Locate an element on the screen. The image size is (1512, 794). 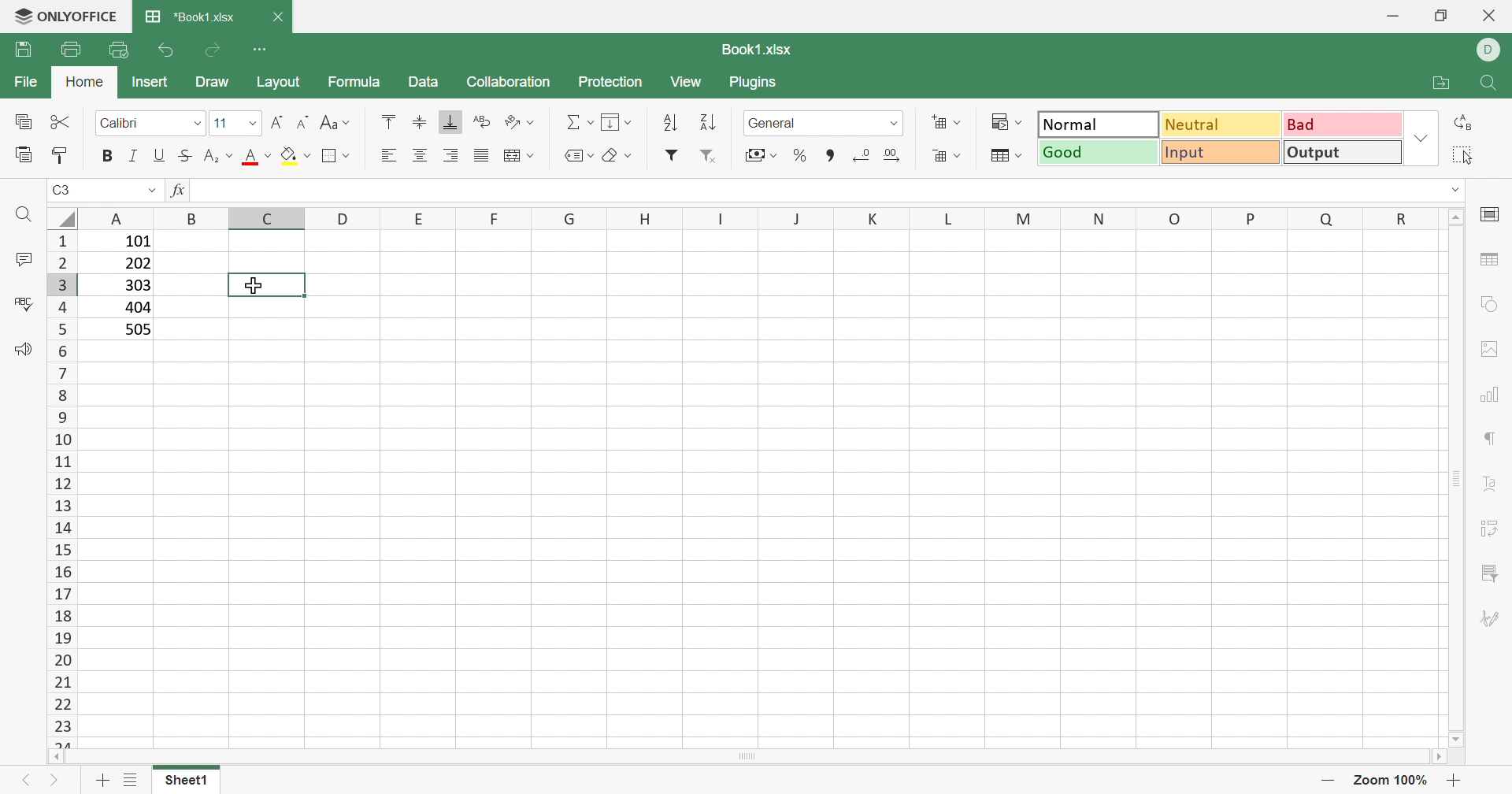
Scroll Bar is located at coordinates (752, 762).